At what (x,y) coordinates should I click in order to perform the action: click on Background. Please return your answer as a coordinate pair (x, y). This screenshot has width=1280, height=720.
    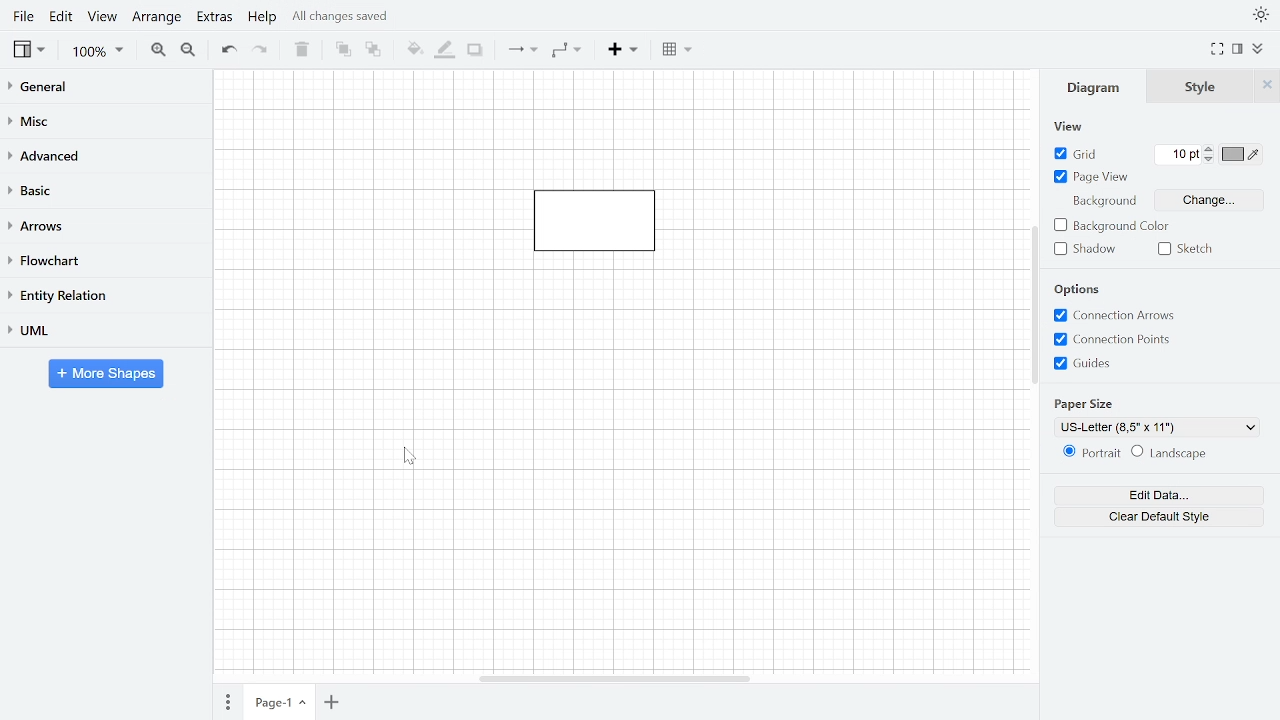
    Looking at the image, I should click on (1102, 201).